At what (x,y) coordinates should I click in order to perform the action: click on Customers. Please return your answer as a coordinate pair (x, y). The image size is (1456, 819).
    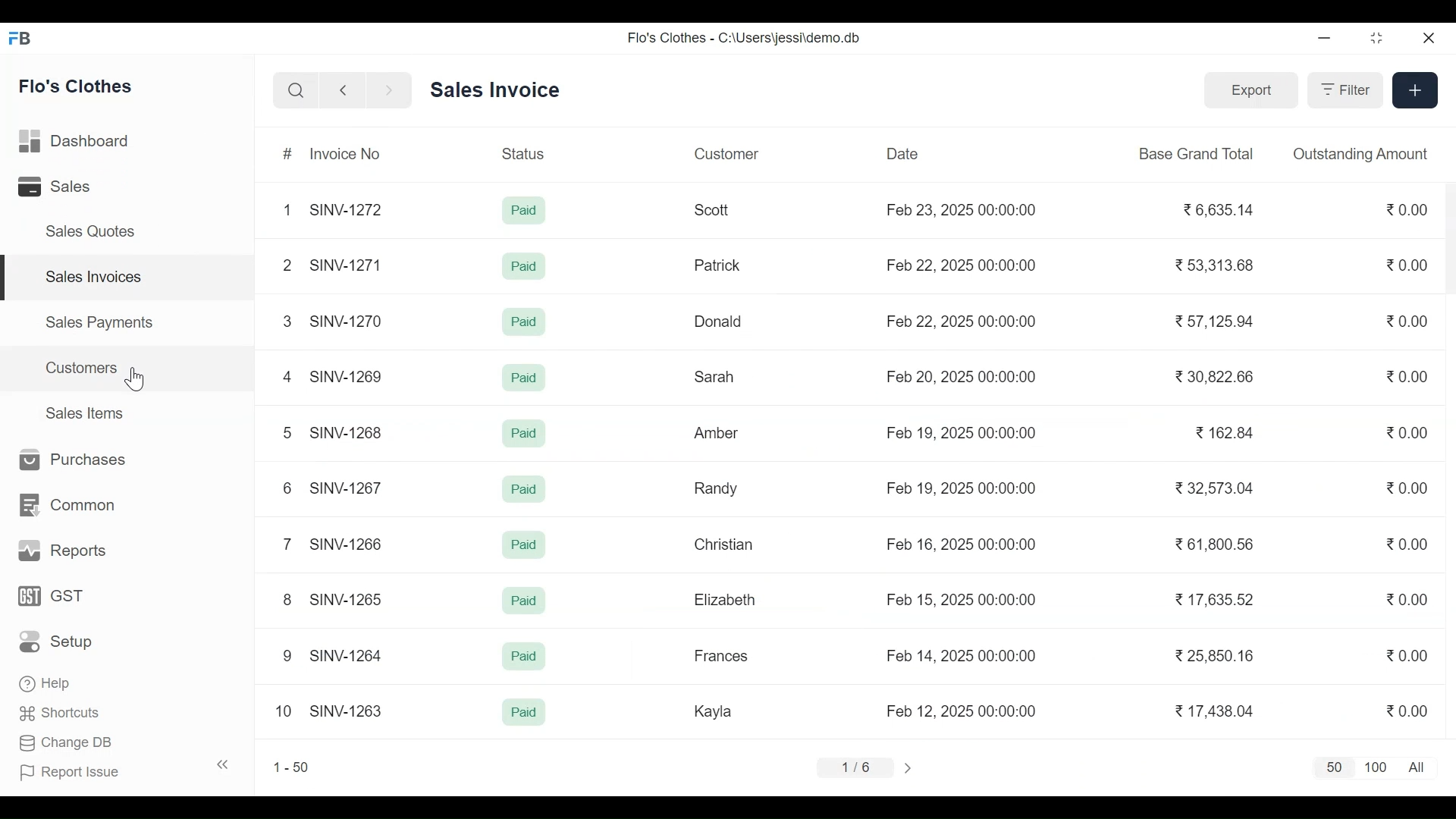
    Looking at the image, I should click on (84, 369).